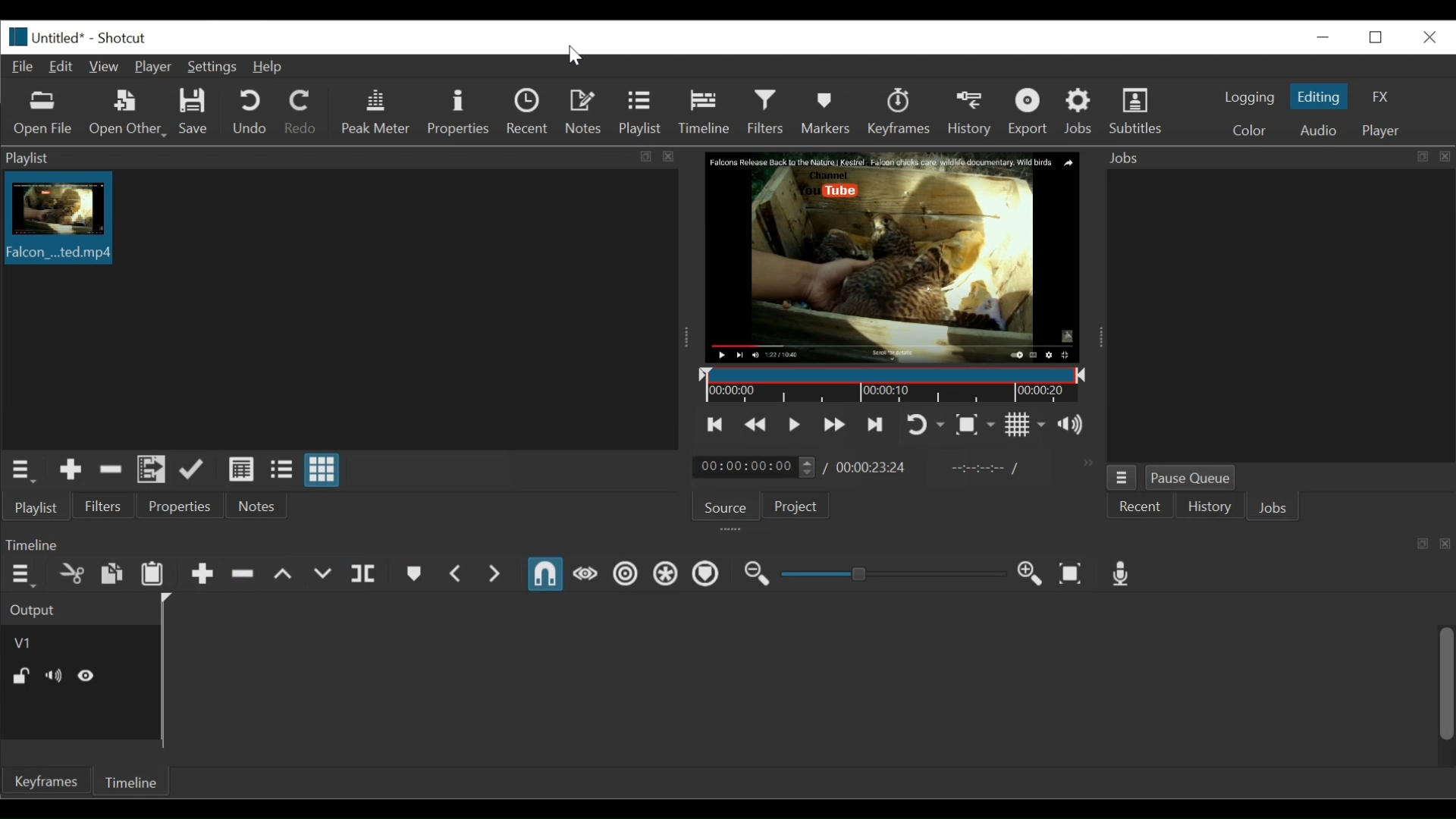  I want to click on Create/ Edit marker, so click(413, 576).